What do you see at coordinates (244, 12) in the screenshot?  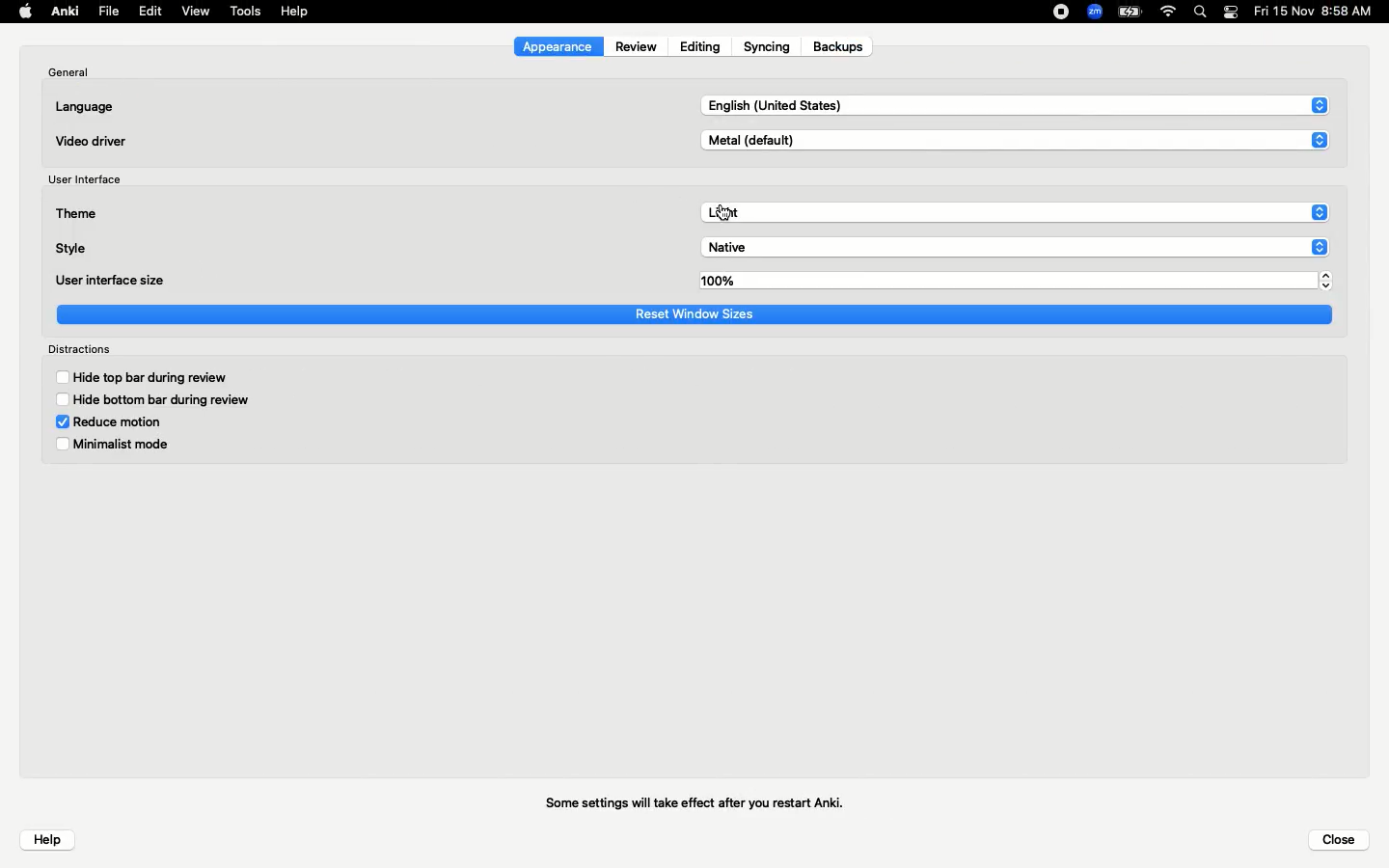 I see `Tools` at bounding box center [244, 12].